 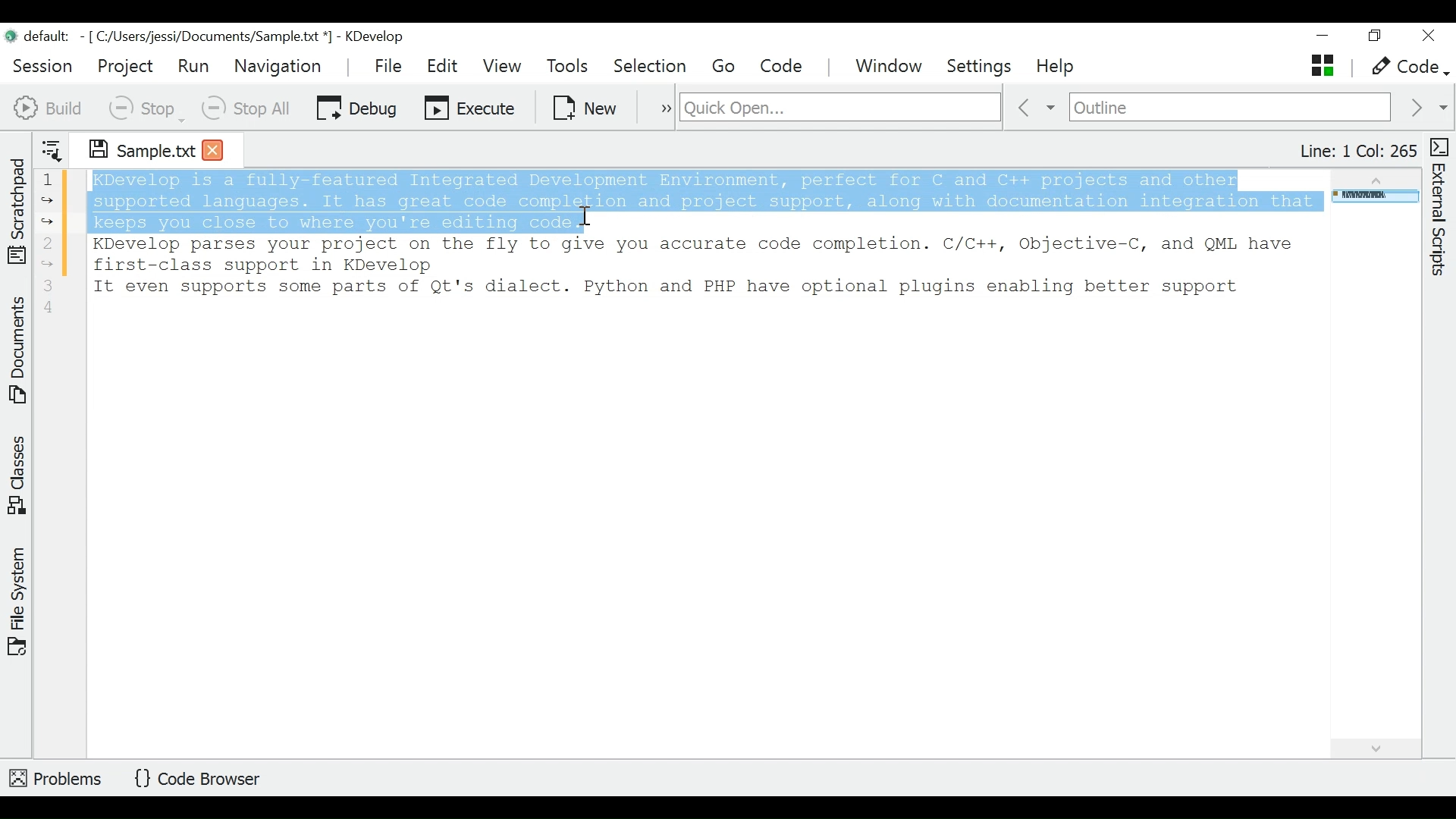 I want to click on Debug, so click(x=356, y=106).